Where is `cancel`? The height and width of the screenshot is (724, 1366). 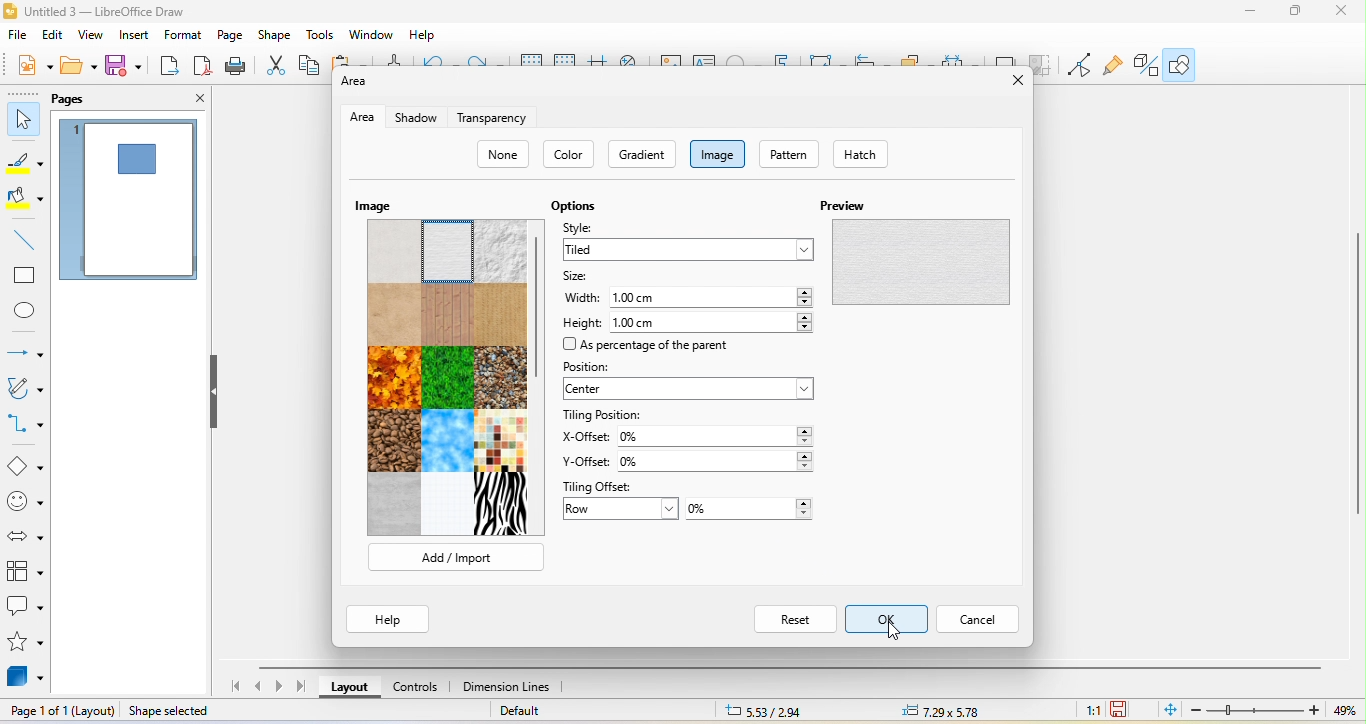
cancel is located at coordinates (980, 618).